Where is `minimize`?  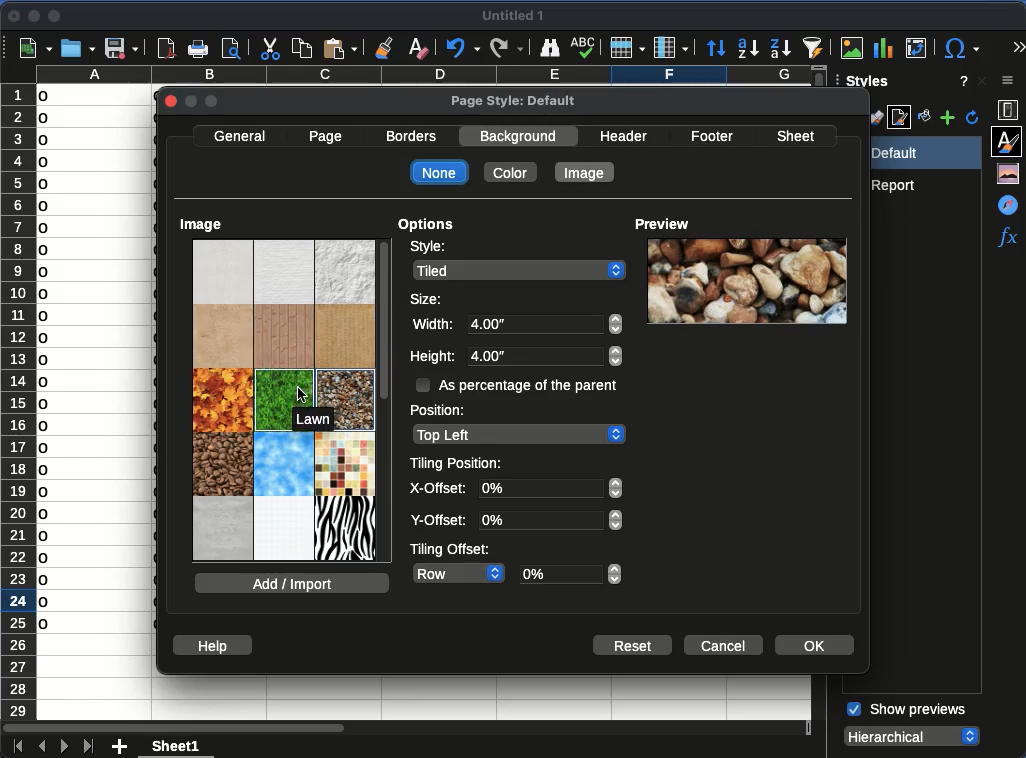
minimize is located at coordinates (33, 16).